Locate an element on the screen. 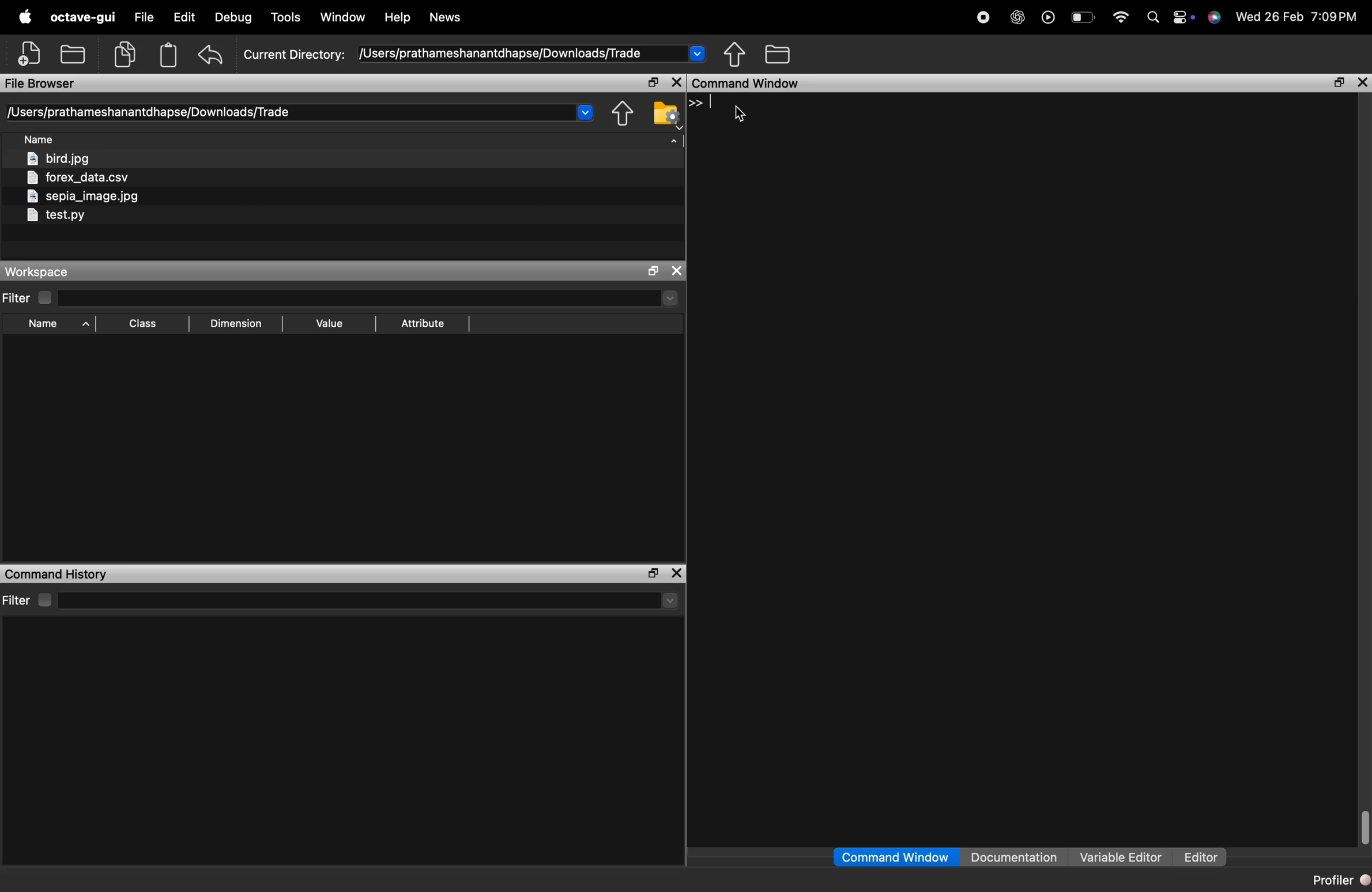 This screenshot has height=892, width=1372. record is located at coordinates (983, 18).